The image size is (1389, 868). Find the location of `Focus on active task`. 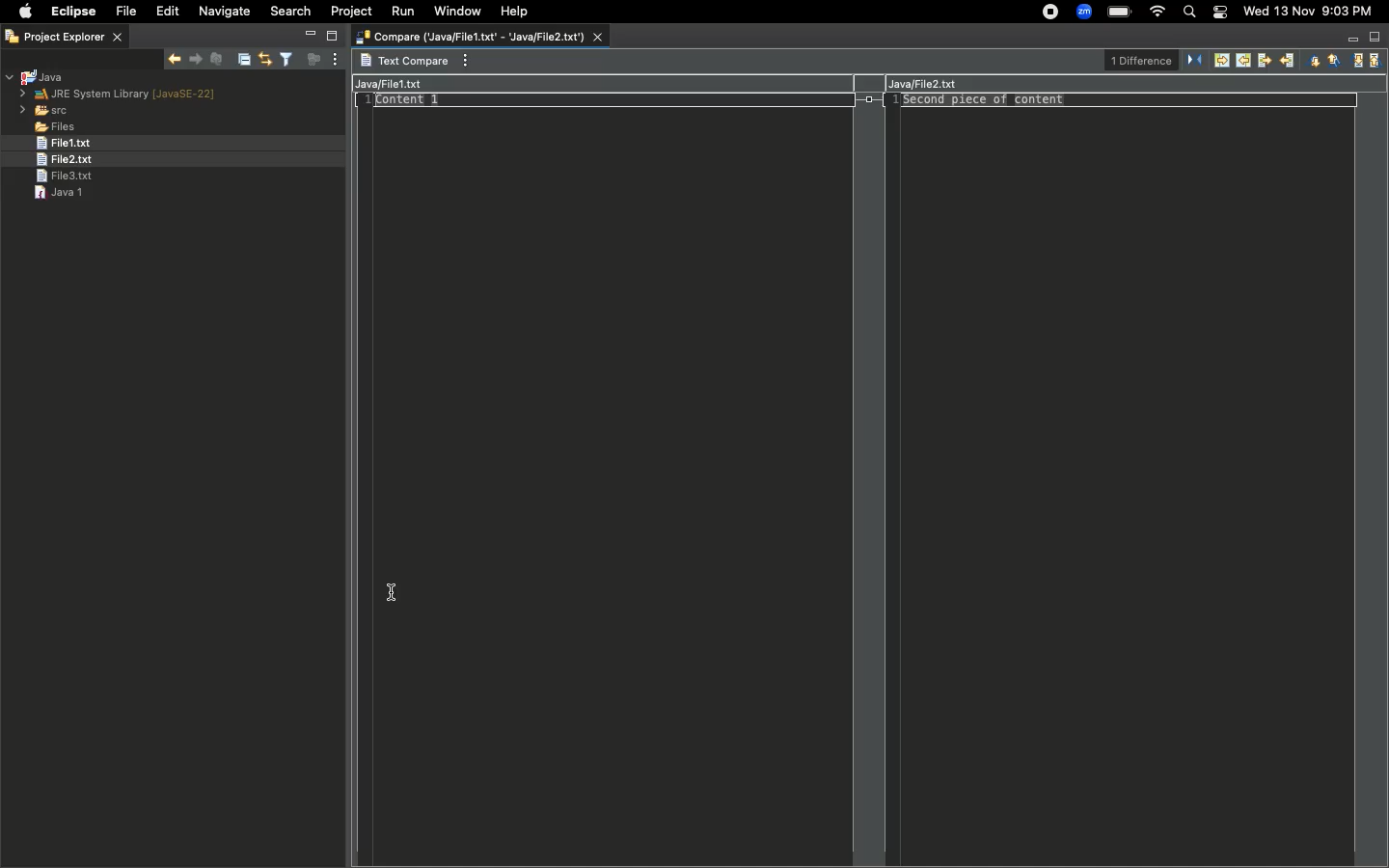

Focus on active task is located at coordinates (311, 60).